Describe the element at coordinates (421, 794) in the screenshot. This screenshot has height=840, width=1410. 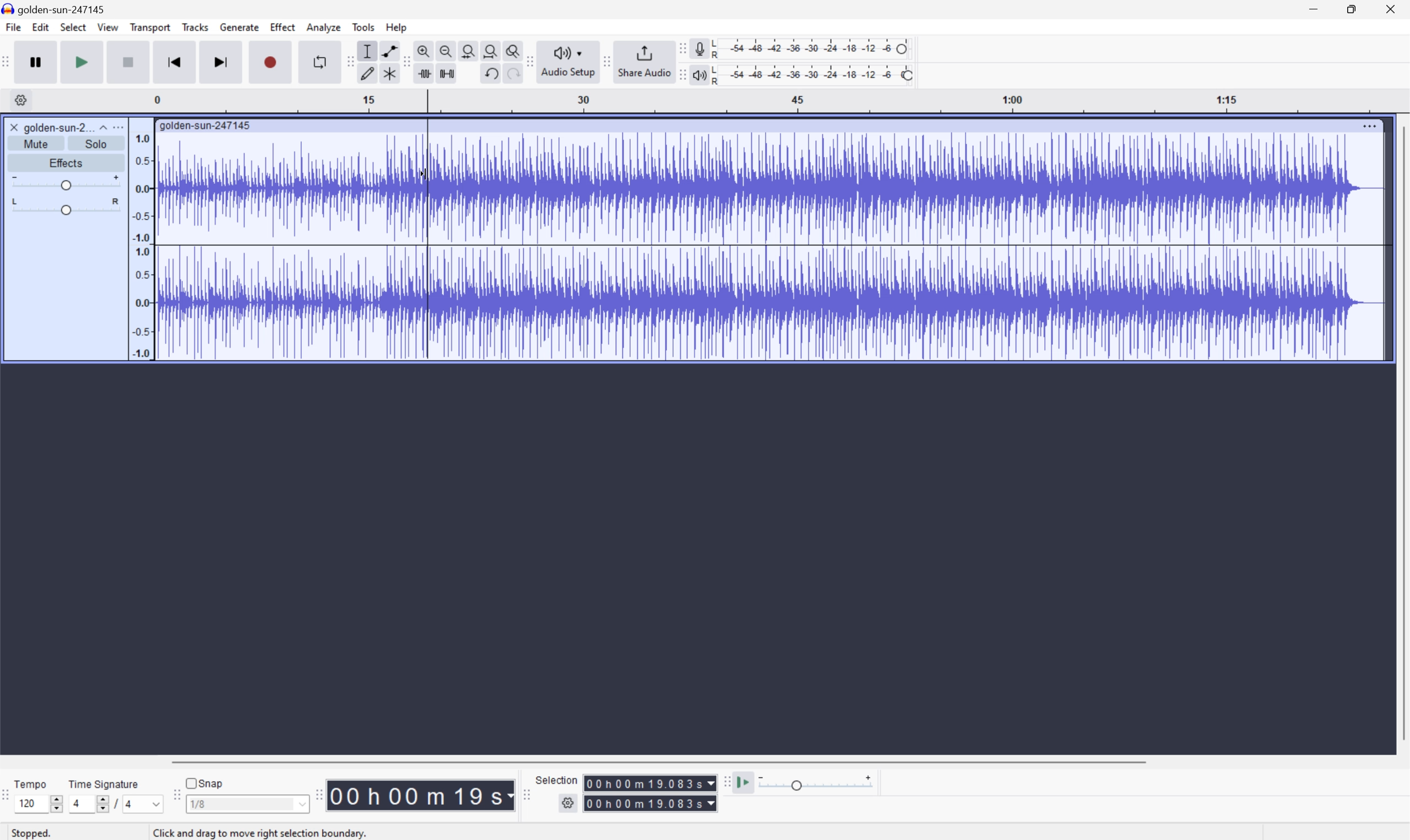
I see `Time` at that location.